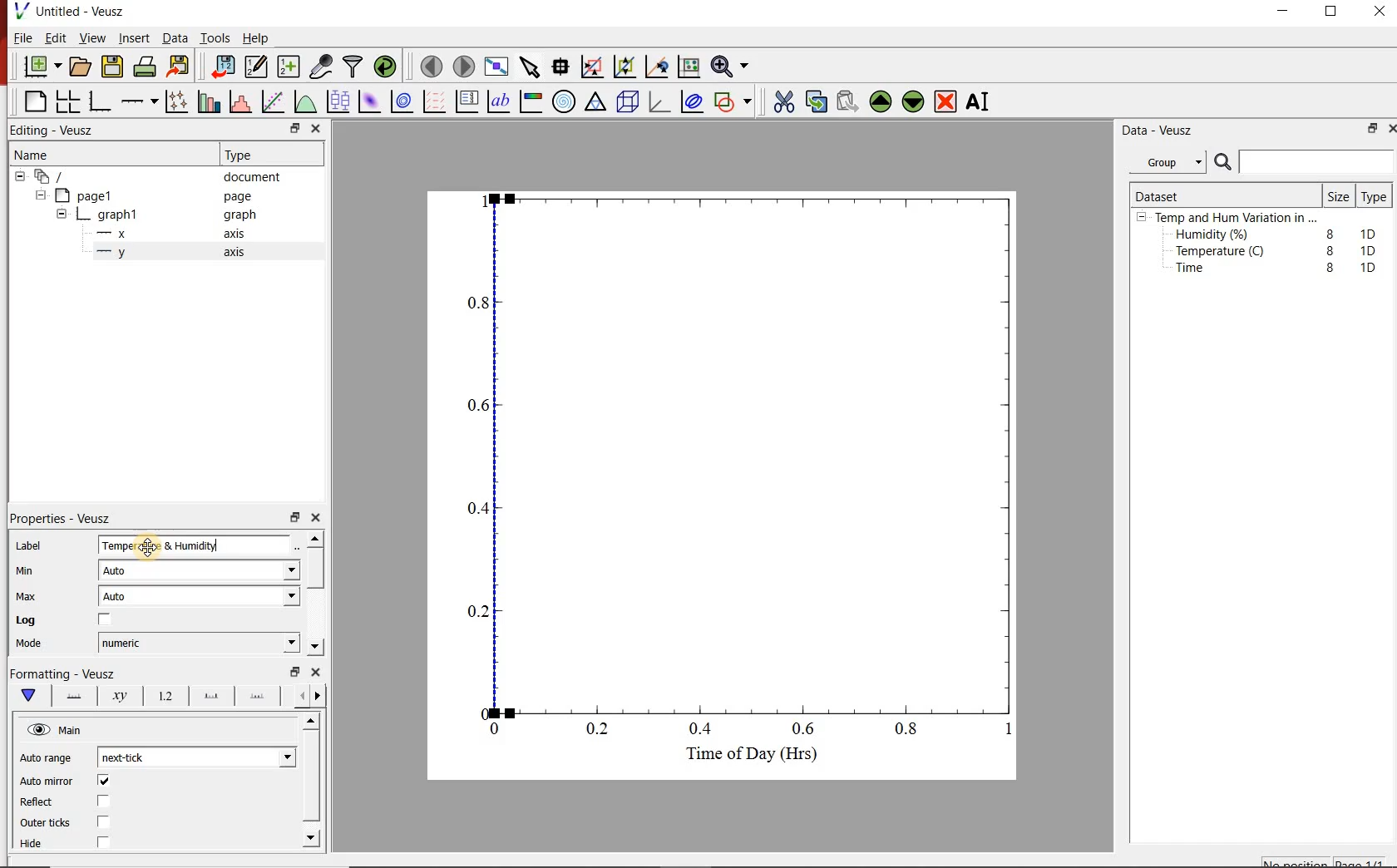  I want to click on visible (click to hide, set Hide to true), so click(37, 731).